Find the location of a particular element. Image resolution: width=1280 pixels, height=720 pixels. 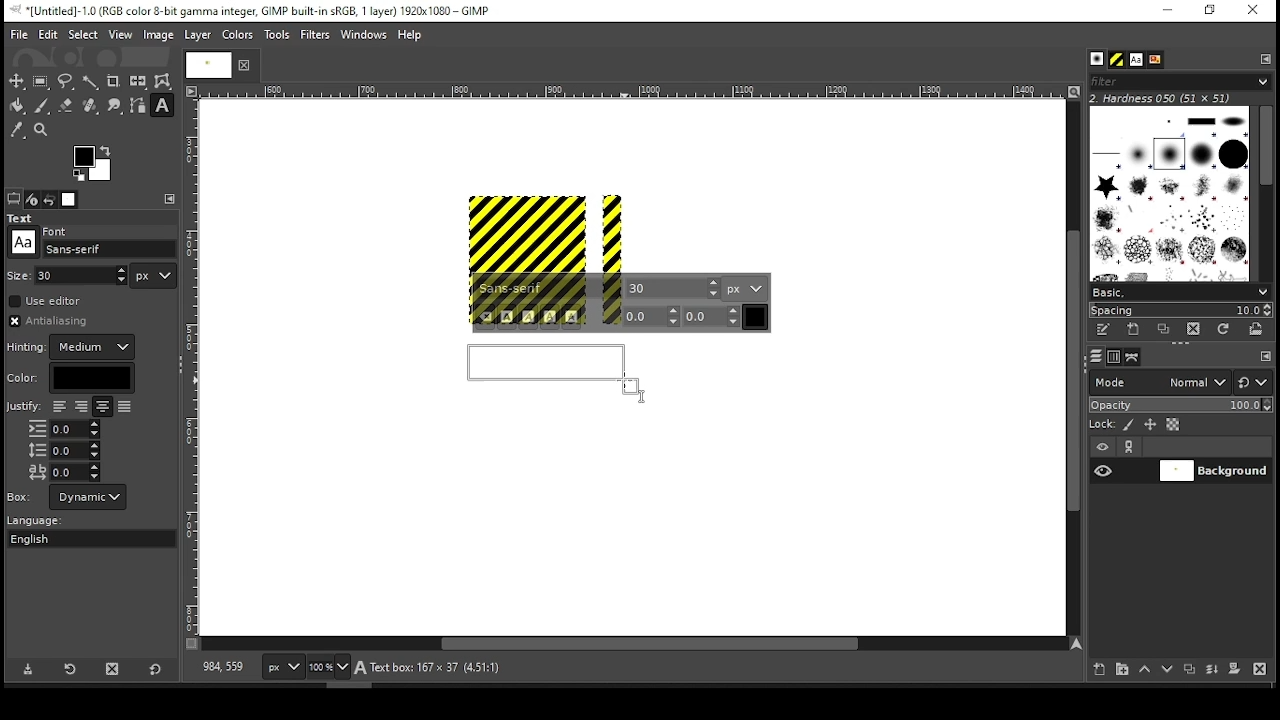

undo history is located at coordinates (51, 200).